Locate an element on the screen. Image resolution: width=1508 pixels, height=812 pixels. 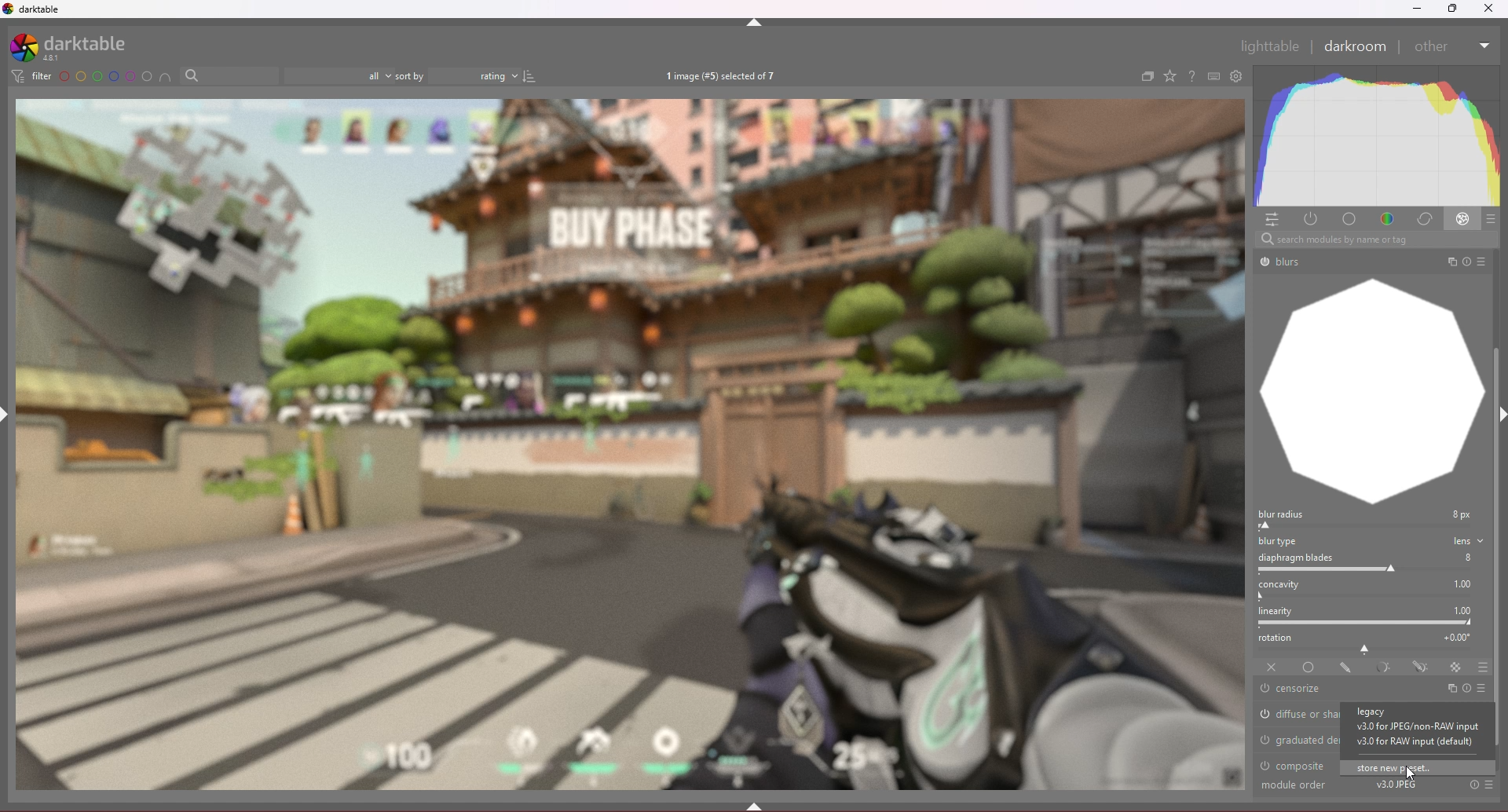
cursor is located at coordinates (1415, 771).